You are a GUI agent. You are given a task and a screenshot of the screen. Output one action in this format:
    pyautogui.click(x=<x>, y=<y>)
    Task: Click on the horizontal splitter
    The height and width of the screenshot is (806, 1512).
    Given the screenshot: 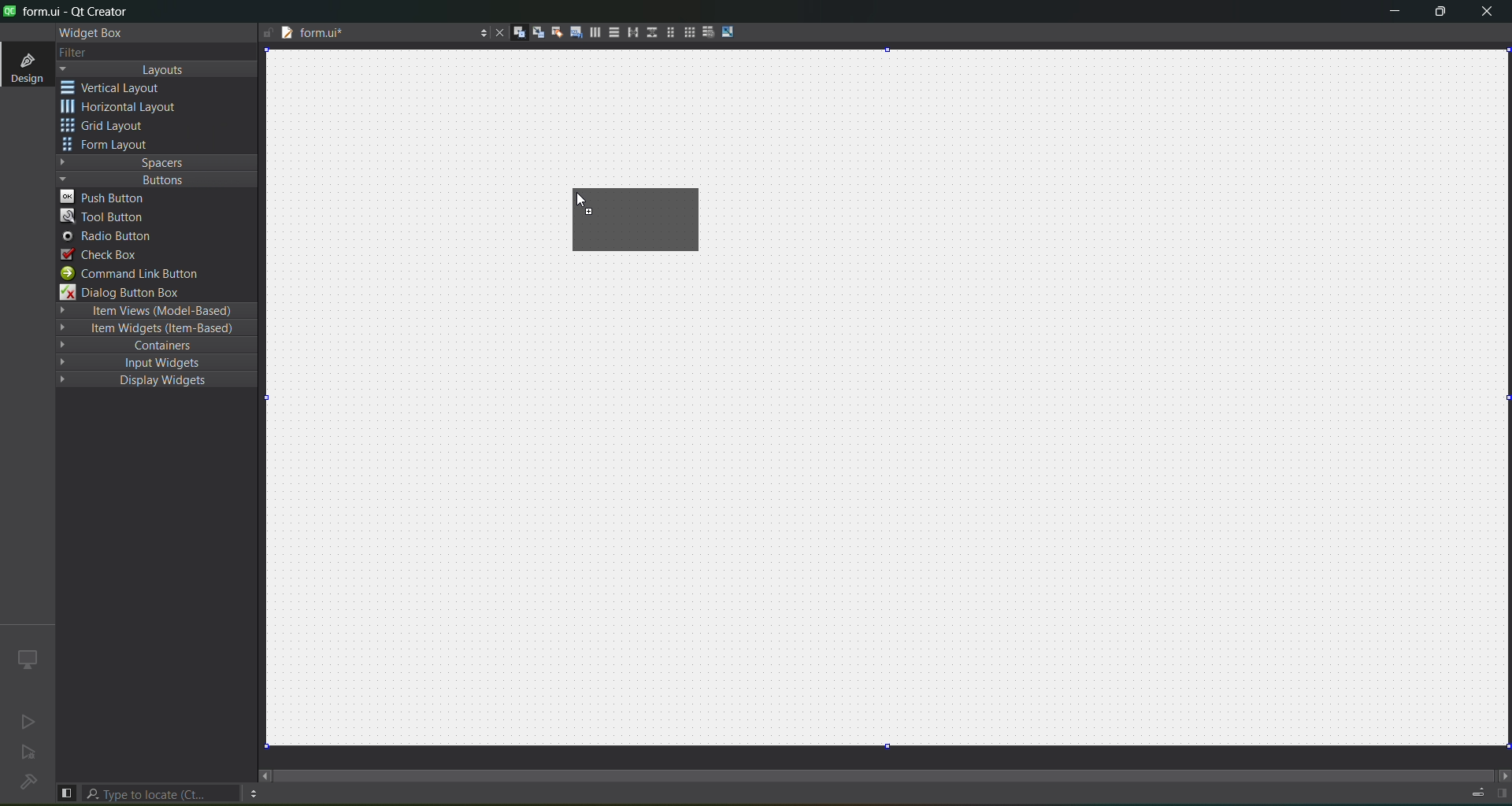 What is the action you would take?
    pyautogui.click(x=630, y=35)
    